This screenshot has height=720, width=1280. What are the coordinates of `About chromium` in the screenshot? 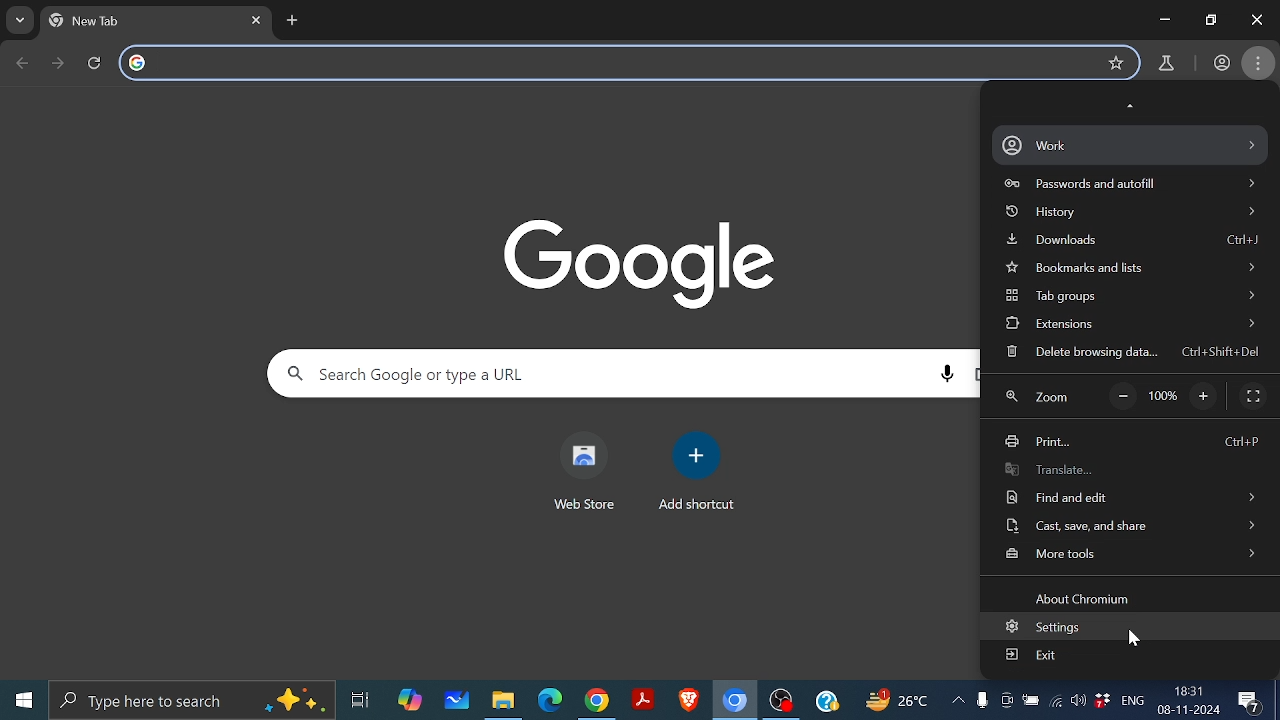 It's located at (1078, 598).